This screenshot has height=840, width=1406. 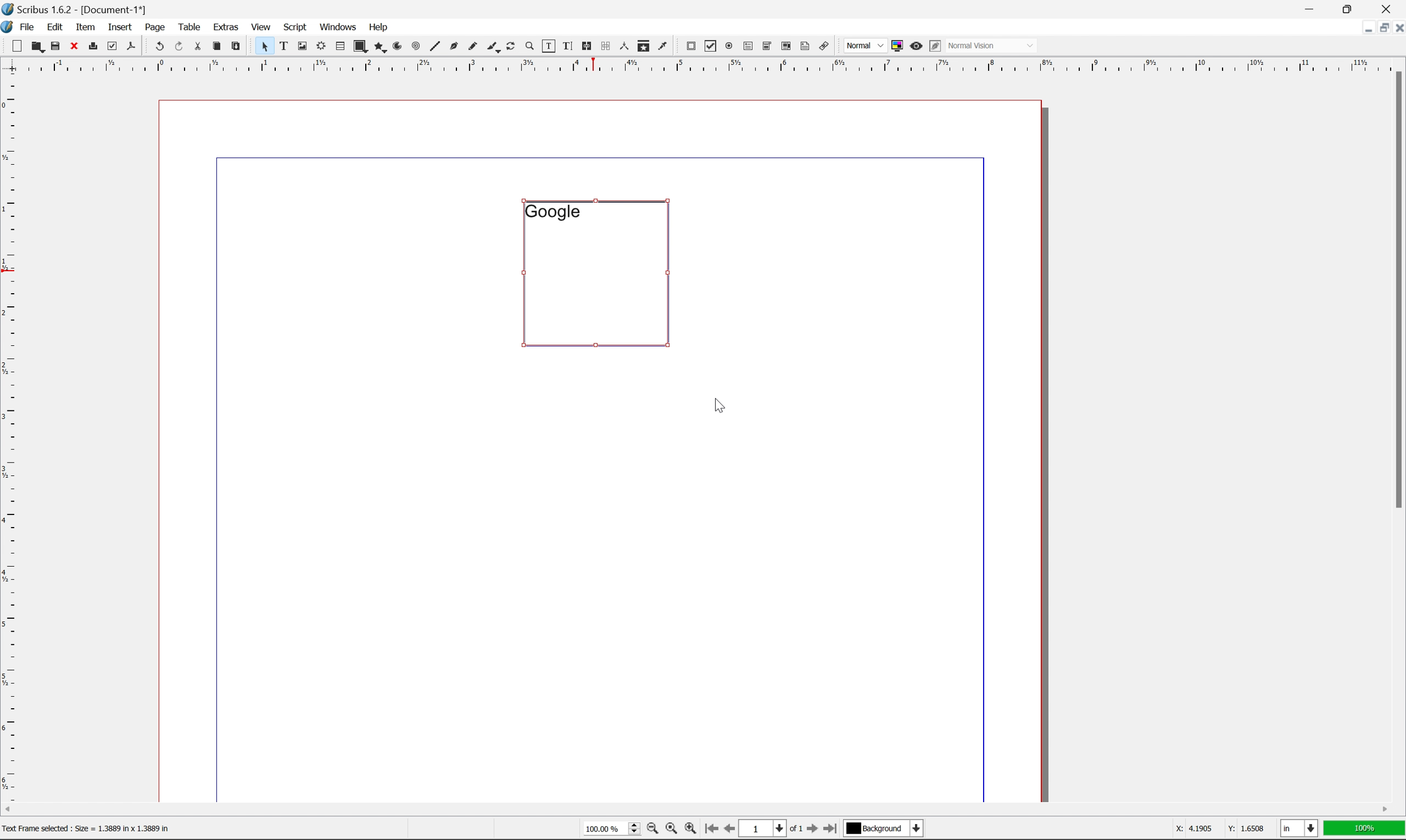 What do you see at coordinates (120, 26) in the screenshot?
I see `insert` at bounding box center [120, 26].